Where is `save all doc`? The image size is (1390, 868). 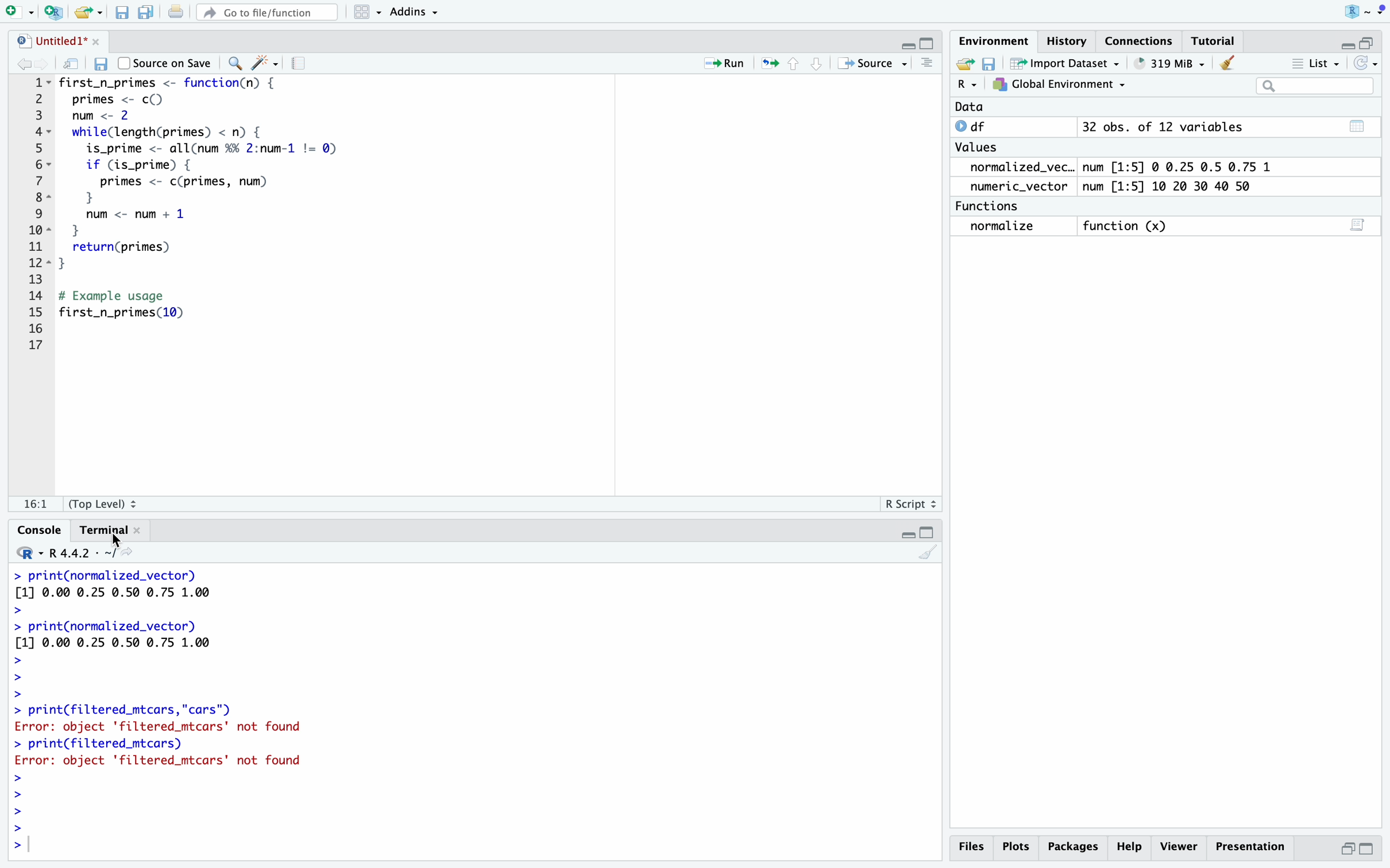 save all doc is located at coordinates (148, 13).